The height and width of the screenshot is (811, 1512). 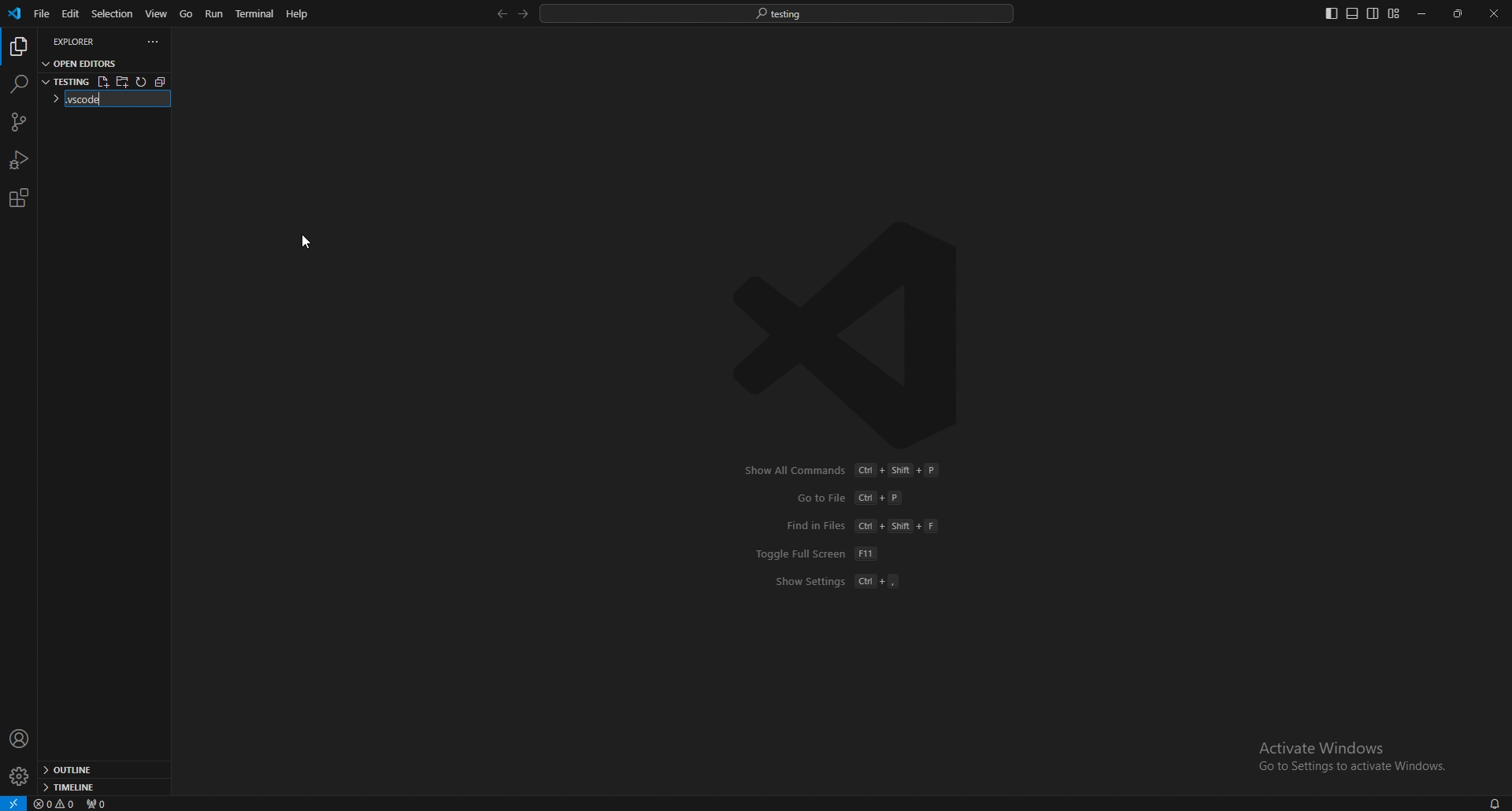 I want to click on errors, so click(x=56, y=805).